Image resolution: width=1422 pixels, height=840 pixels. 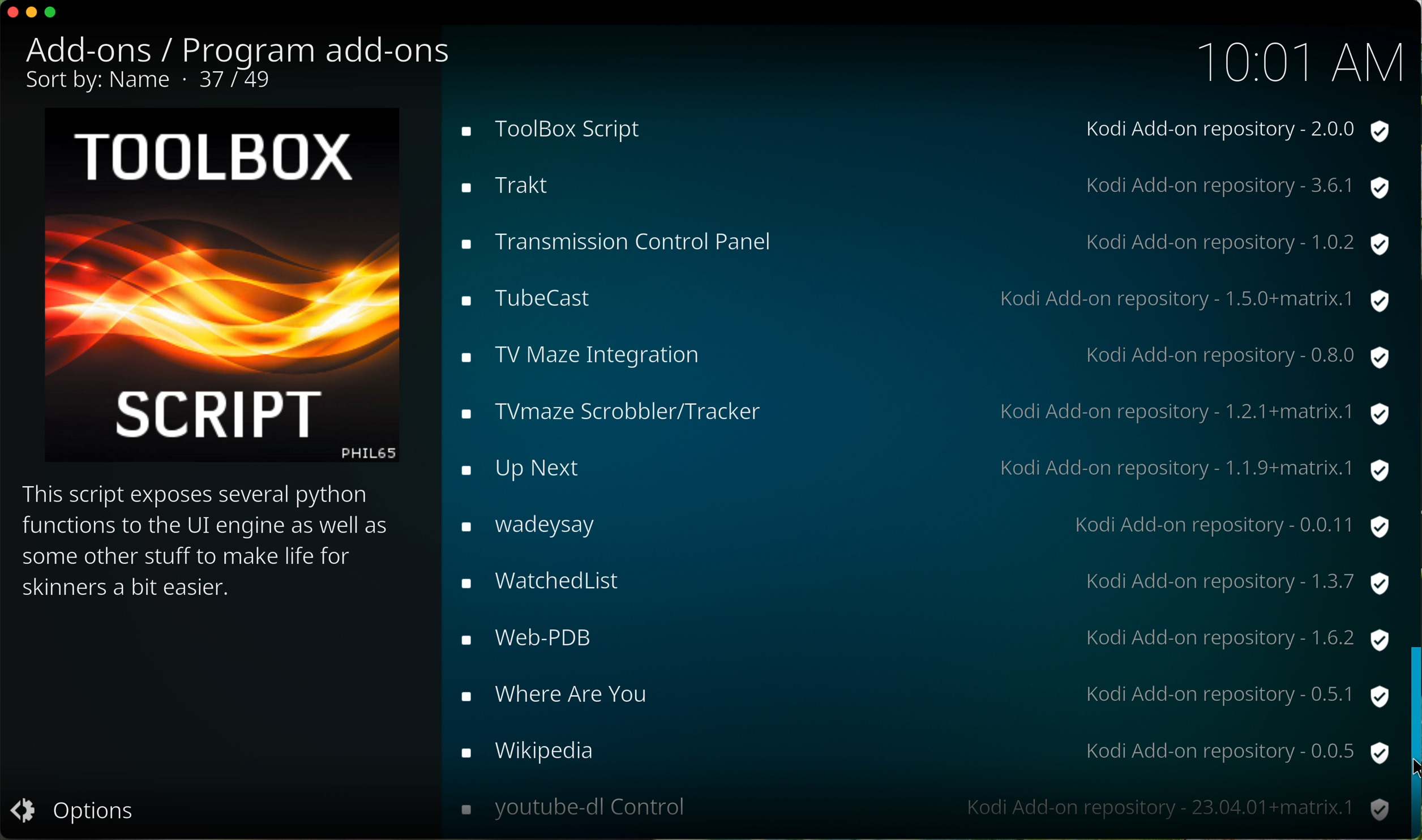 I want to click on 37/49, so click(x=241, y=80).